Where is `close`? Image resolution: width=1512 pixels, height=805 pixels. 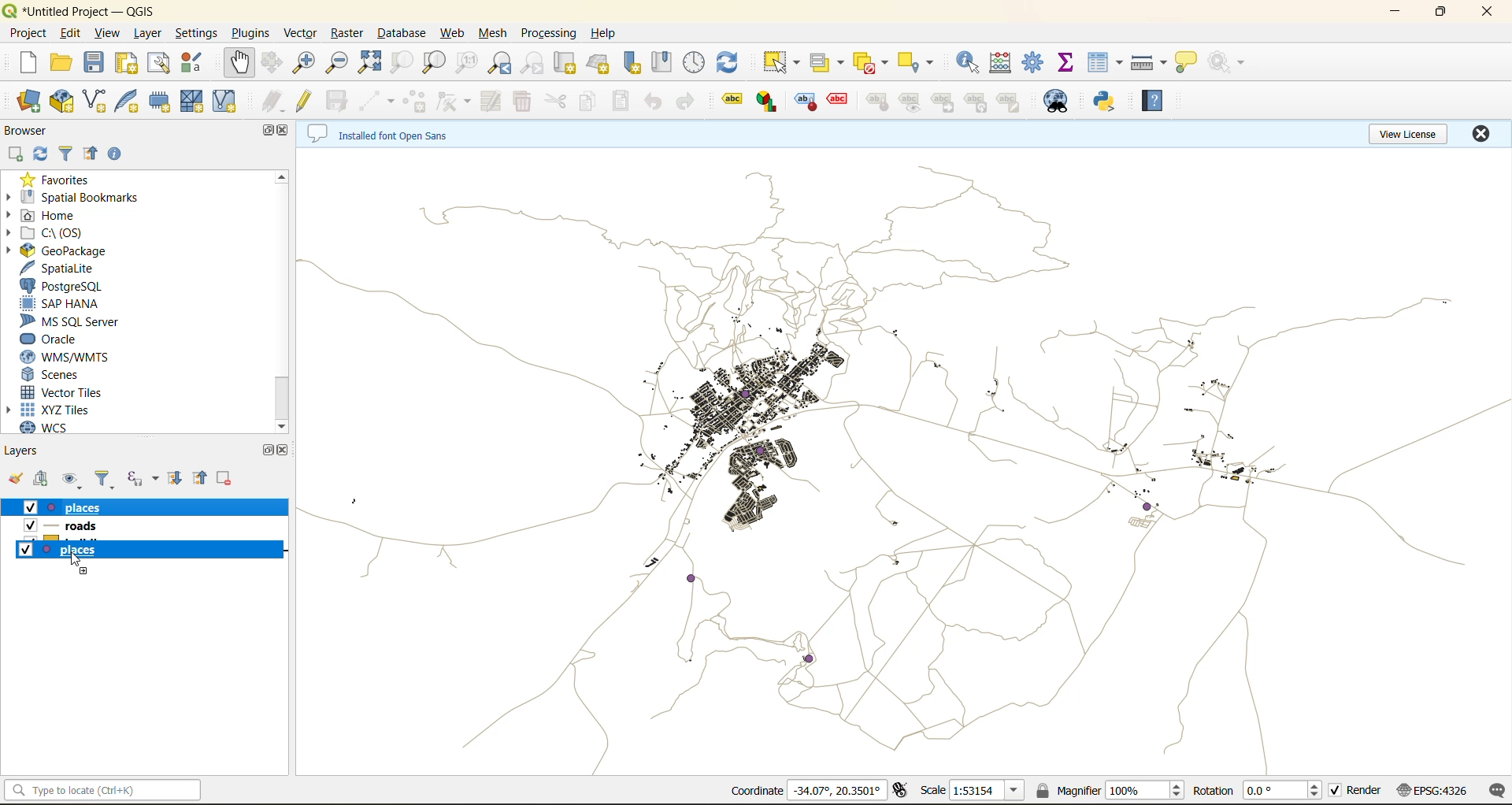
close is located at coordinates (1478, 135).